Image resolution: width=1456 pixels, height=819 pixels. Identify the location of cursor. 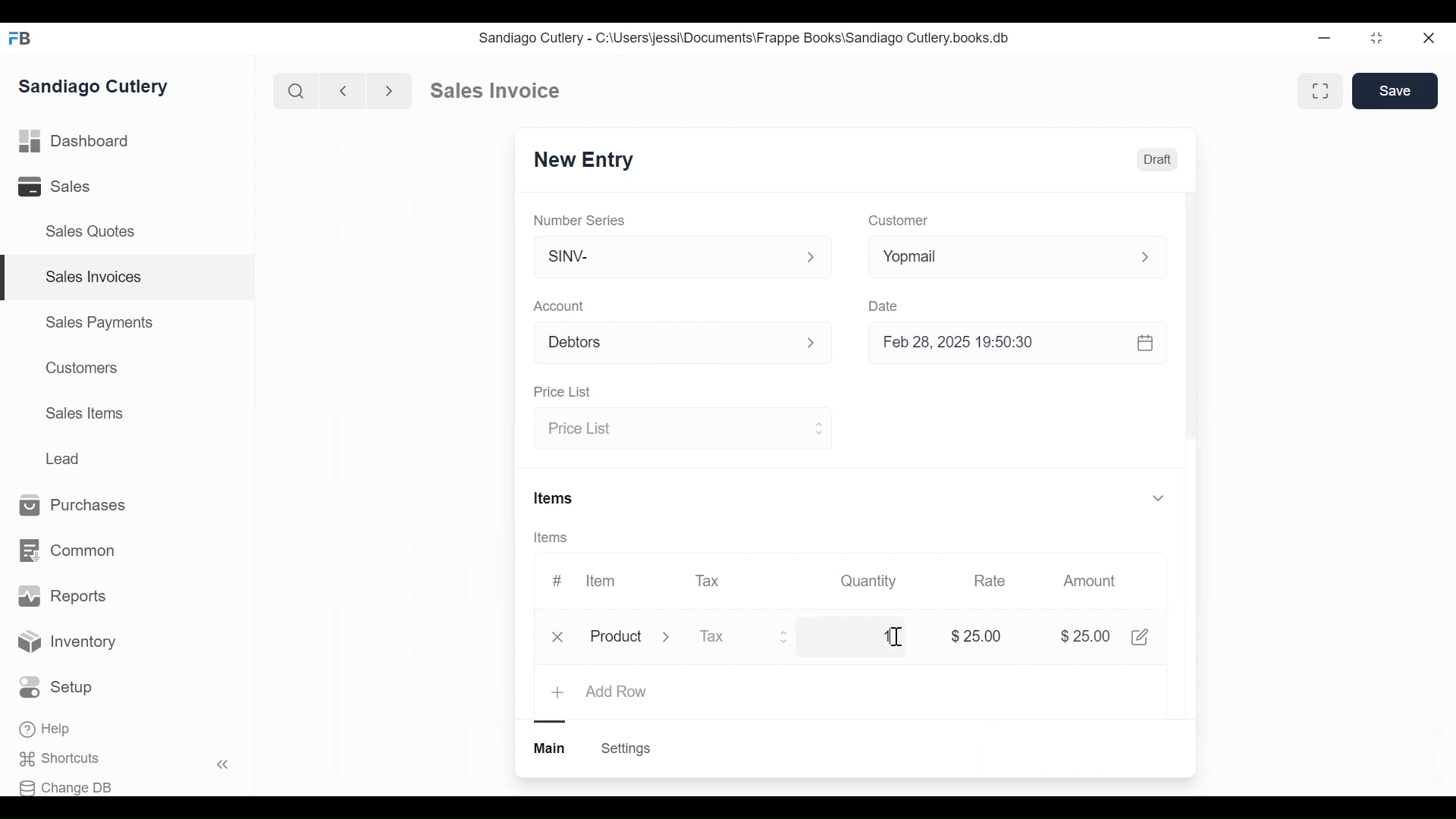
(895, 637).